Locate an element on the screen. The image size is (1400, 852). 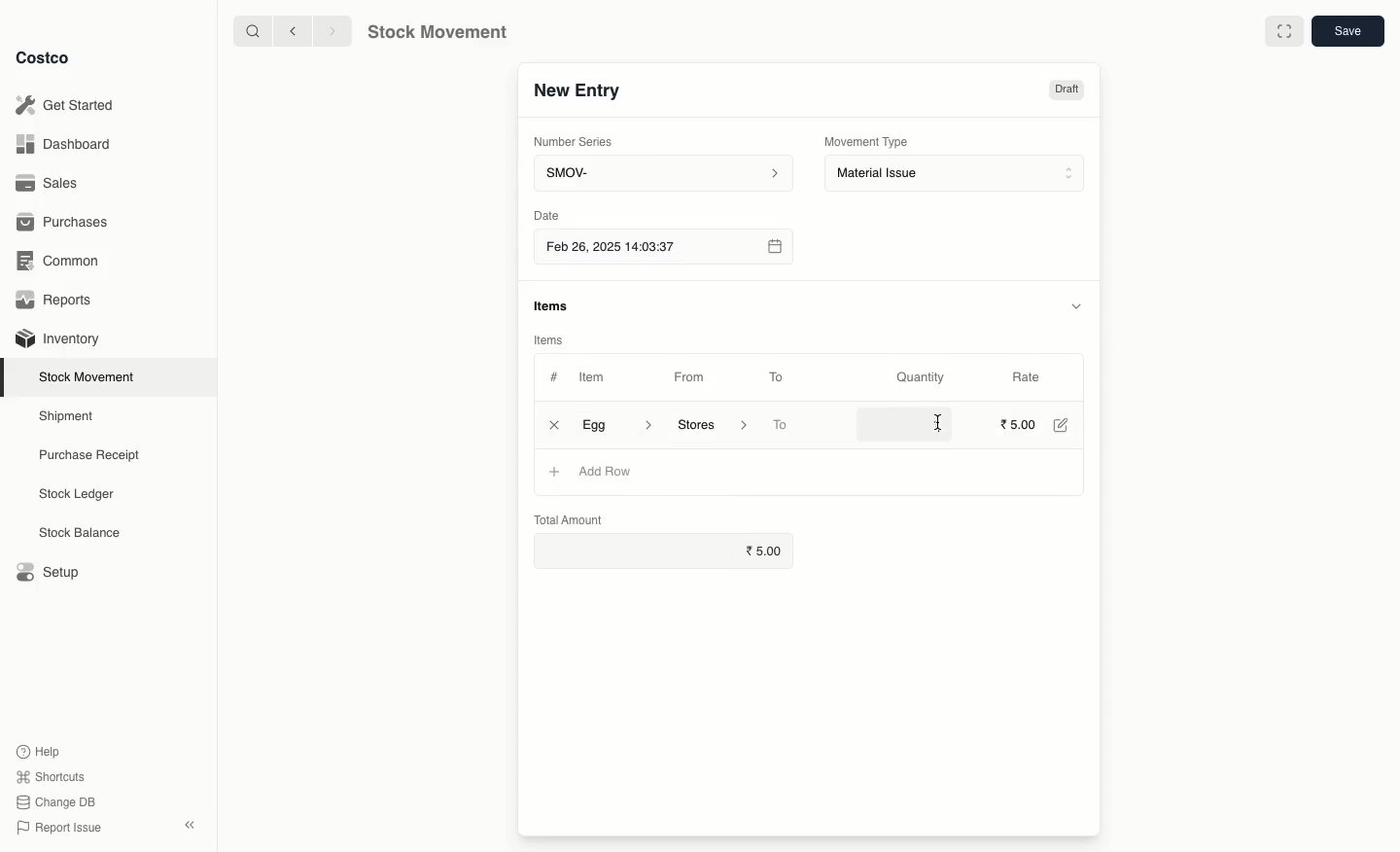
Rate is located at coordinates (1027, 374).